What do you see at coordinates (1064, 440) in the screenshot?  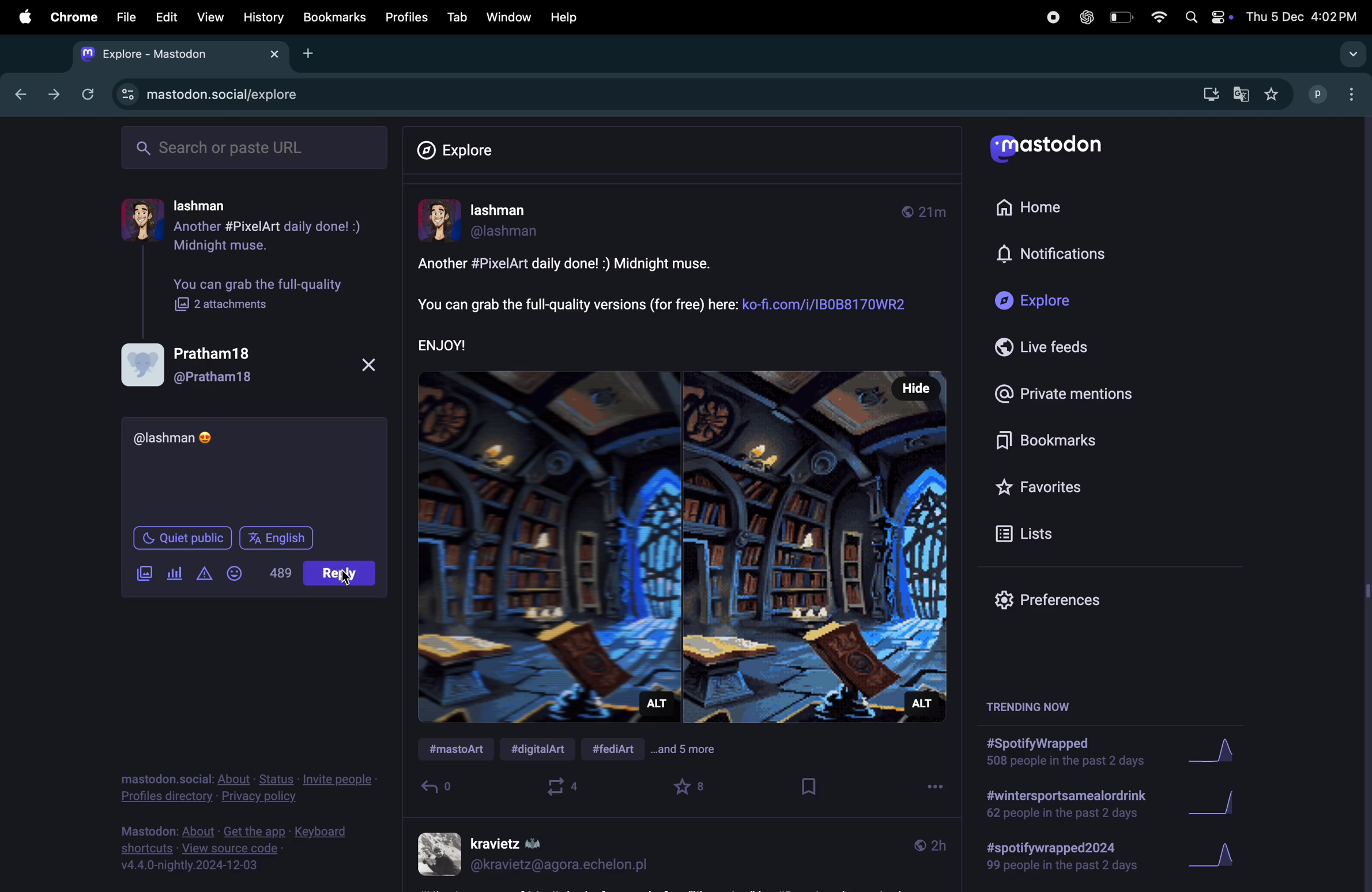 I see `book marks` at bounding box center [1064, 440].